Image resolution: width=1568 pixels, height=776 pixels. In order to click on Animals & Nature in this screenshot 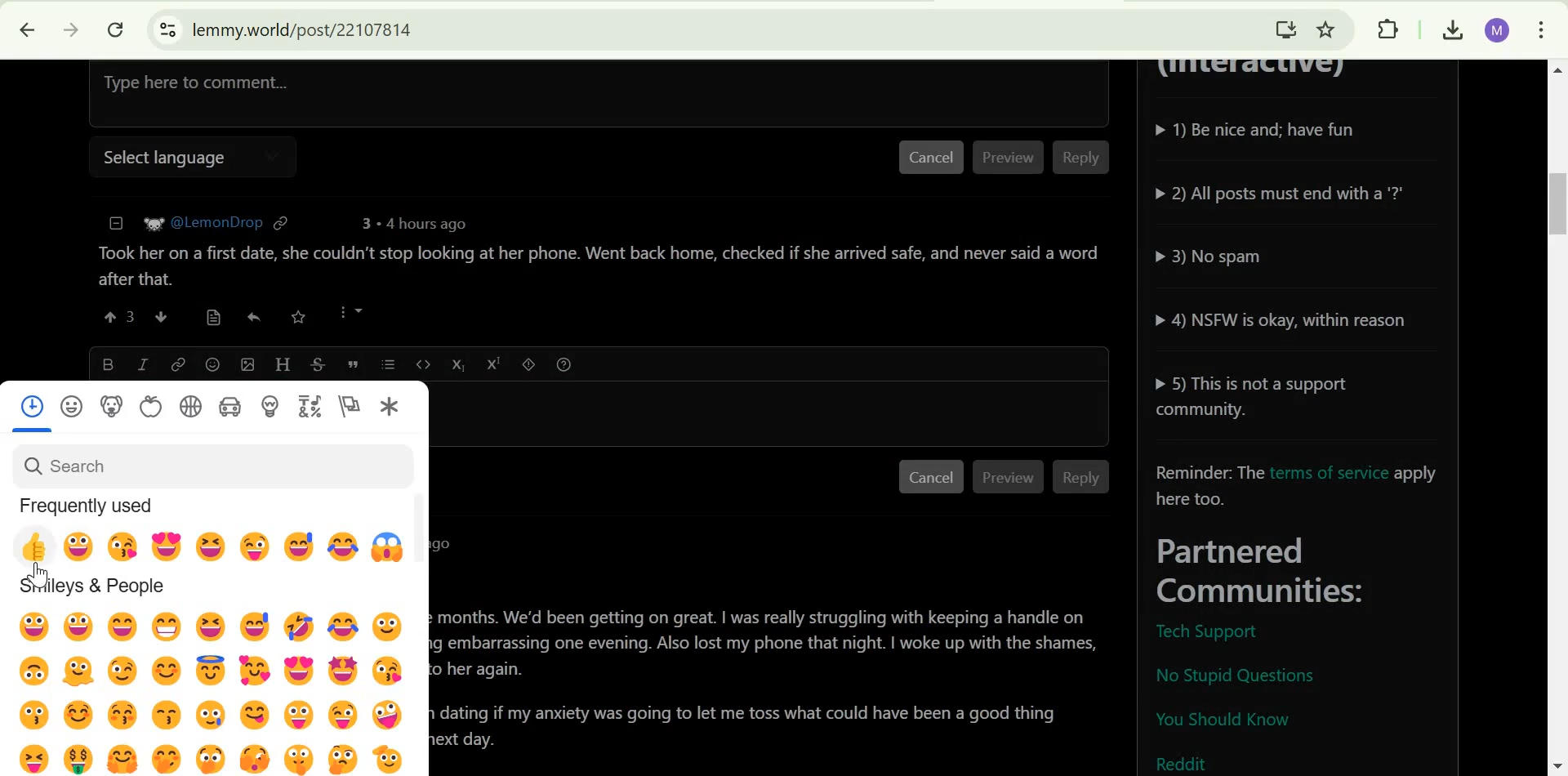, I will do `click(111, 406)`.